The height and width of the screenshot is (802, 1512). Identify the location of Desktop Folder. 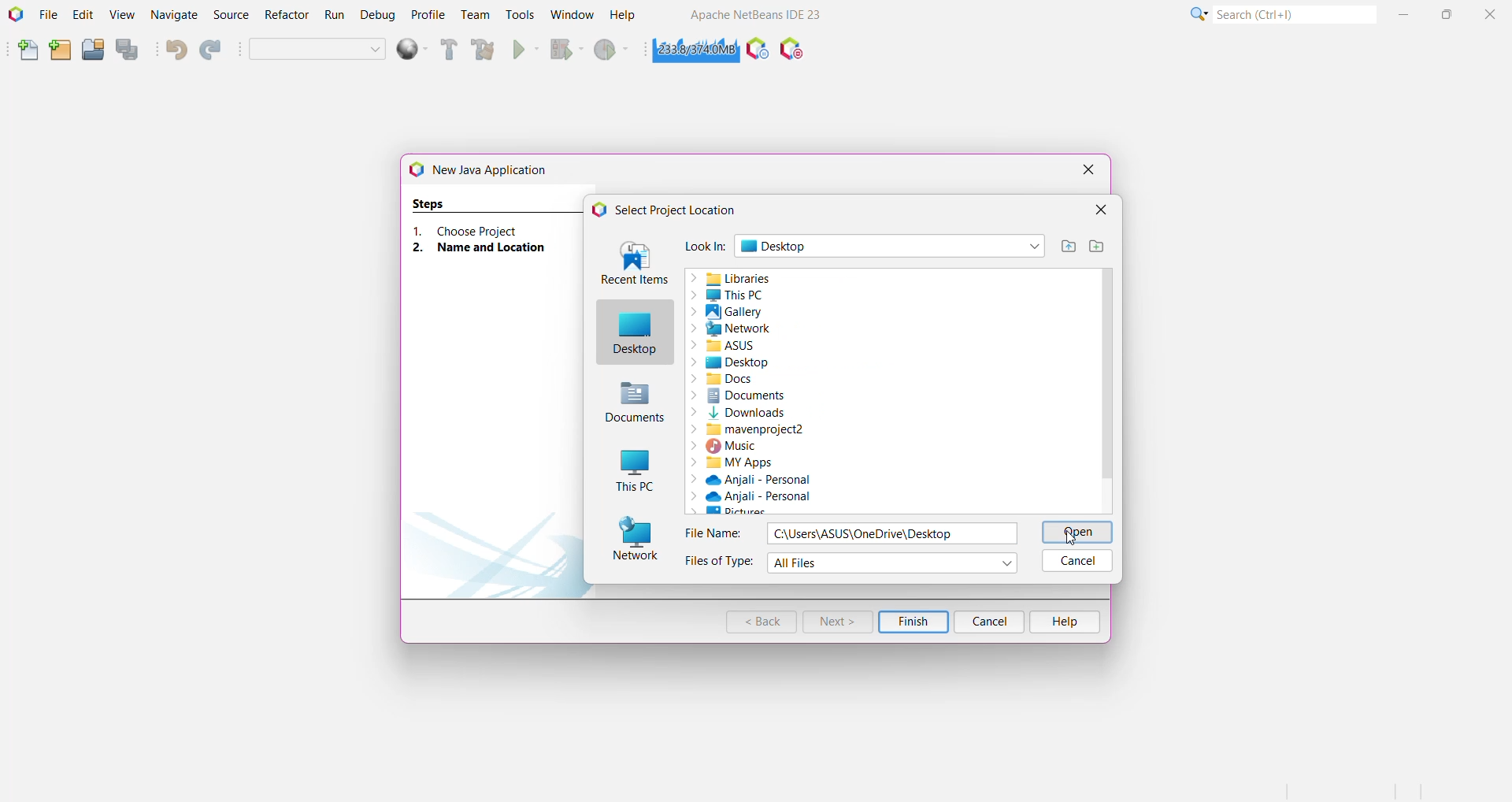
(892, 246).